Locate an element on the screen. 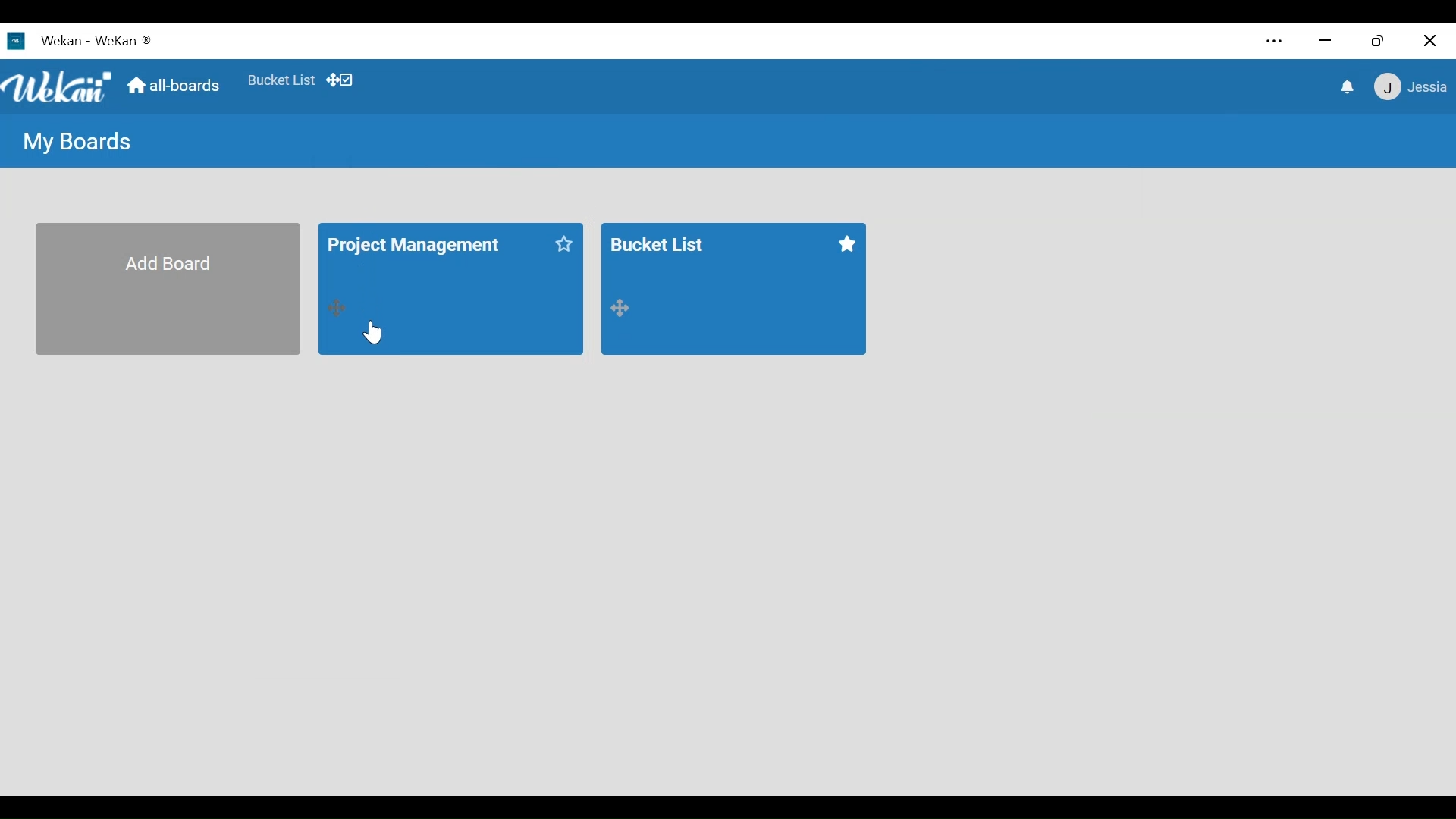 Image resolution: width=1456 pixels, height=819 pixels. star is located at coordinates (560, 246).